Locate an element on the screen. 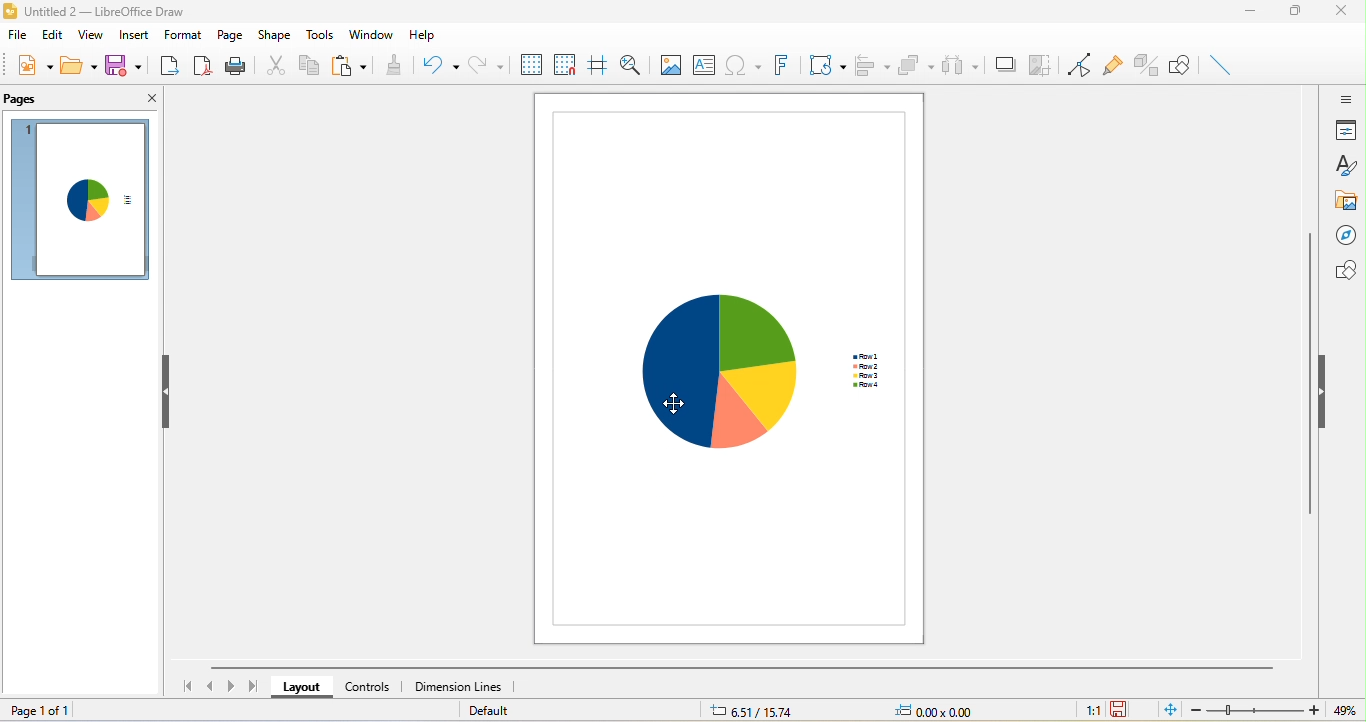 The height and width of the screenshot is (722, 1366). object position-0.00x0.00 is located at coordinates (940, 712).